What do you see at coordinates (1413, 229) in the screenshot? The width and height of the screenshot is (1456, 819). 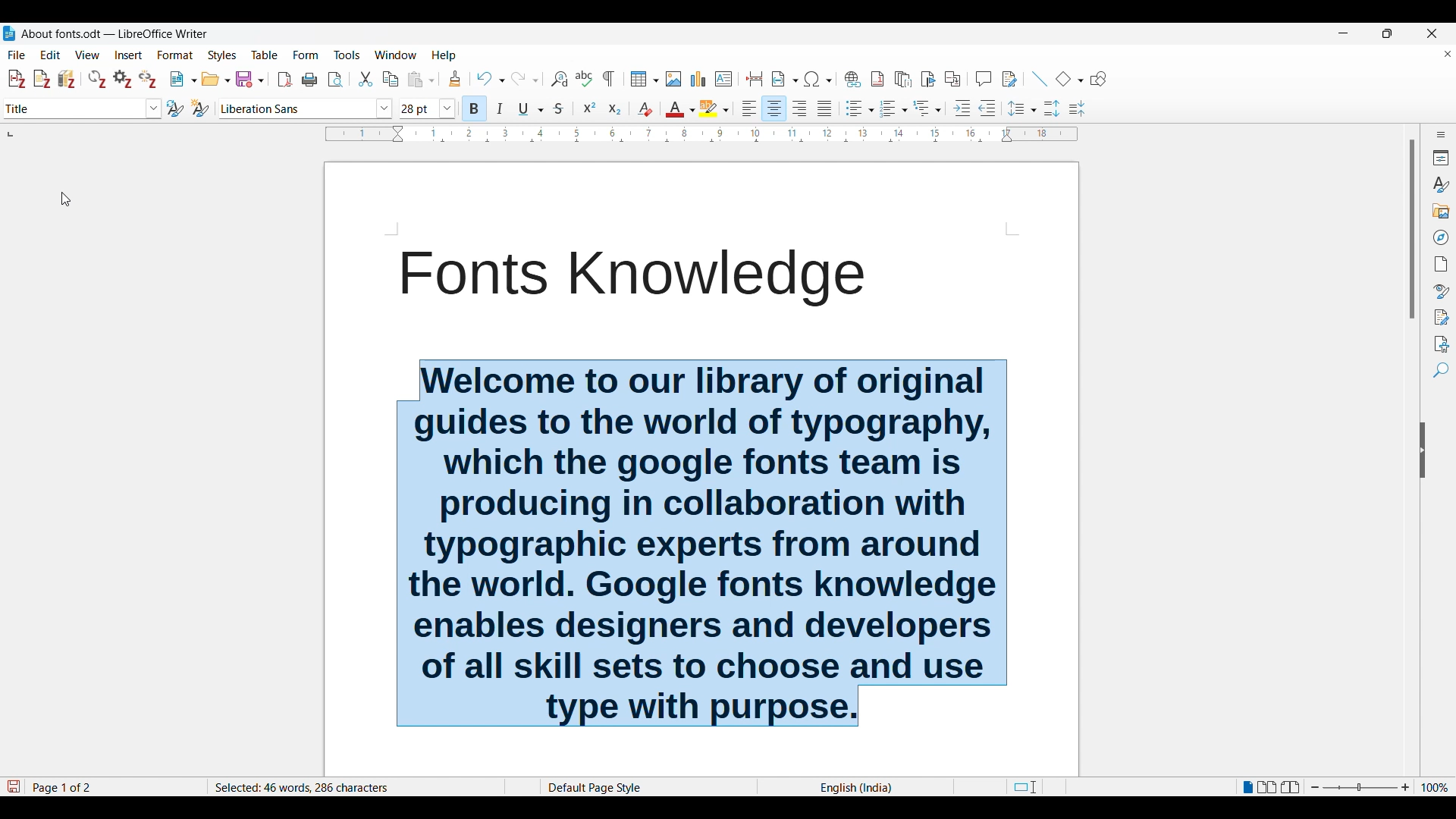 I see `Vertical slide bar` at bounding box center [1413, 229].